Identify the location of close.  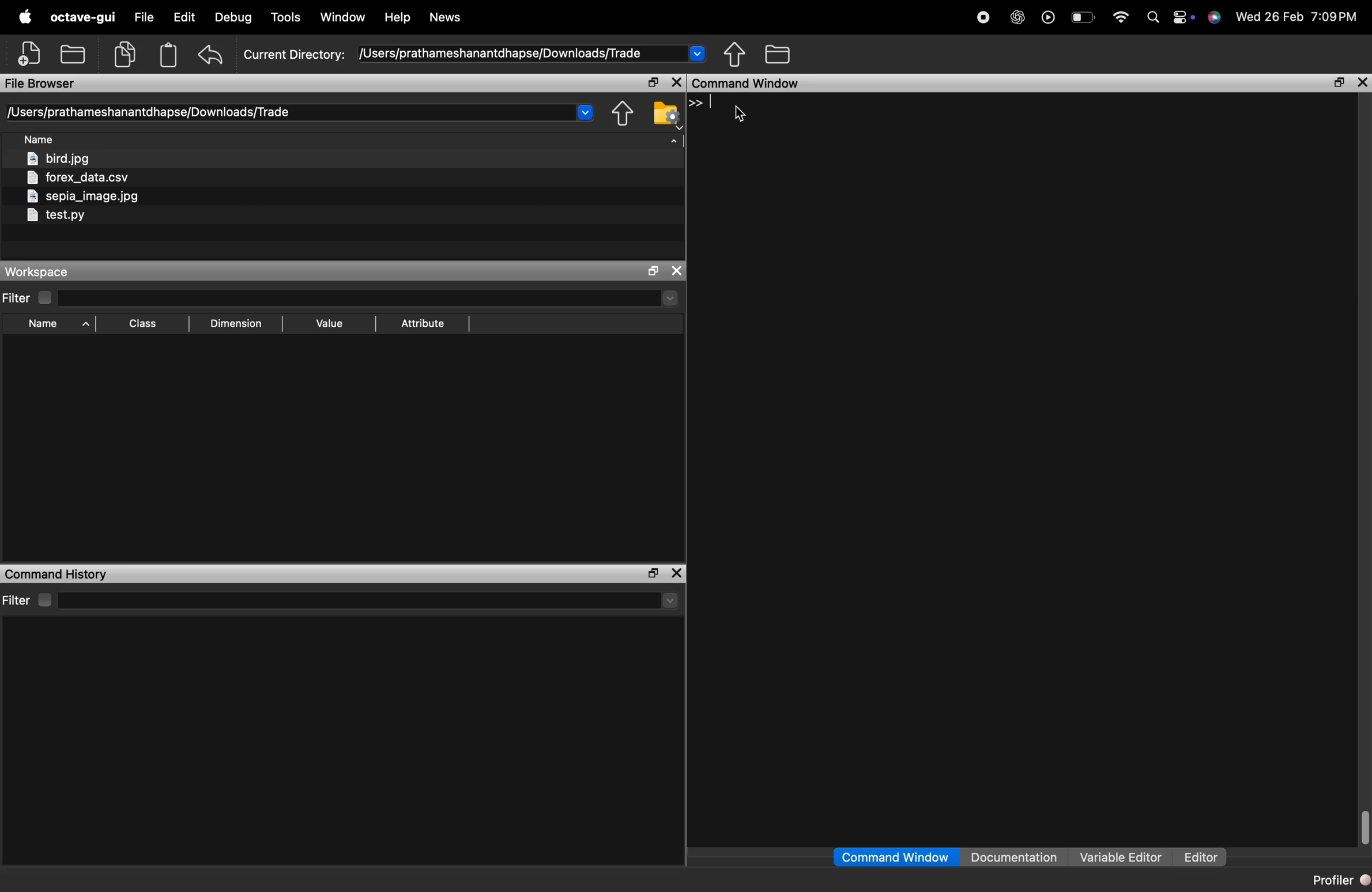
(1362, 83).